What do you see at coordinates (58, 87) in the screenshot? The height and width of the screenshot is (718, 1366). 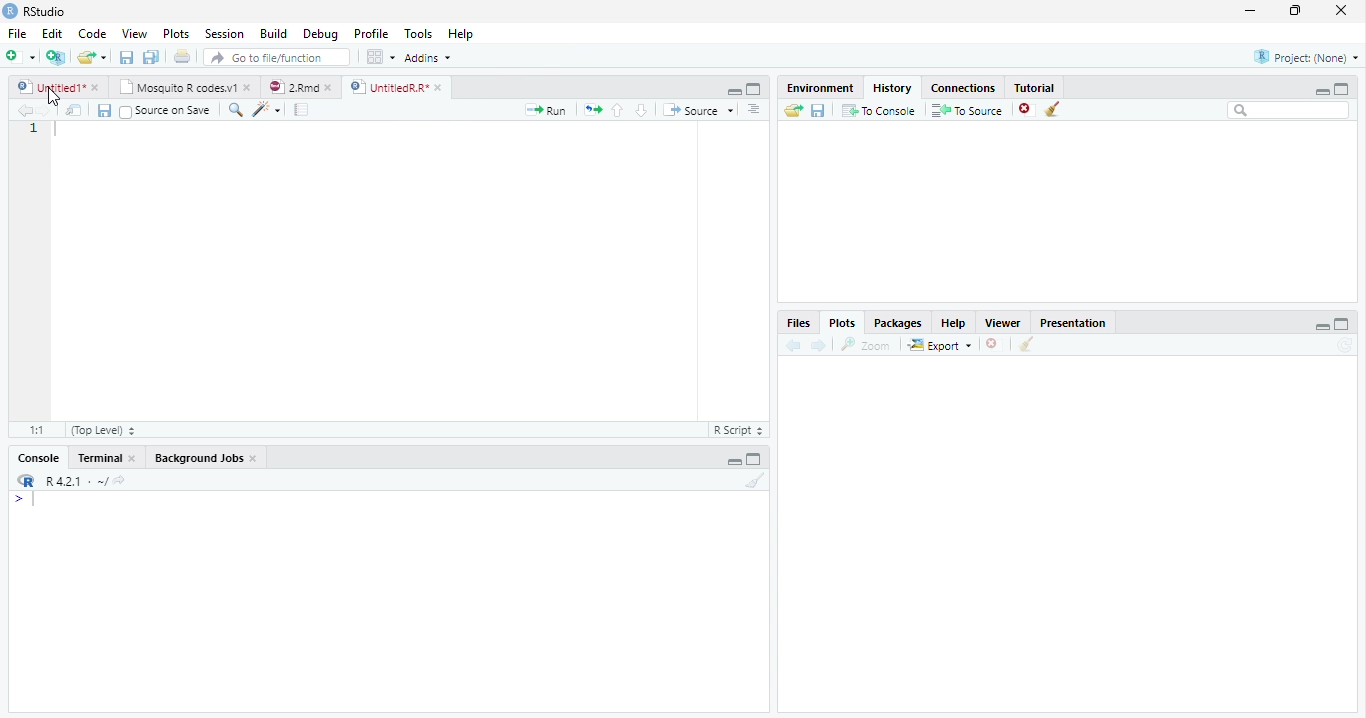 I see `Untitled1` at bounding box center [58, 87].